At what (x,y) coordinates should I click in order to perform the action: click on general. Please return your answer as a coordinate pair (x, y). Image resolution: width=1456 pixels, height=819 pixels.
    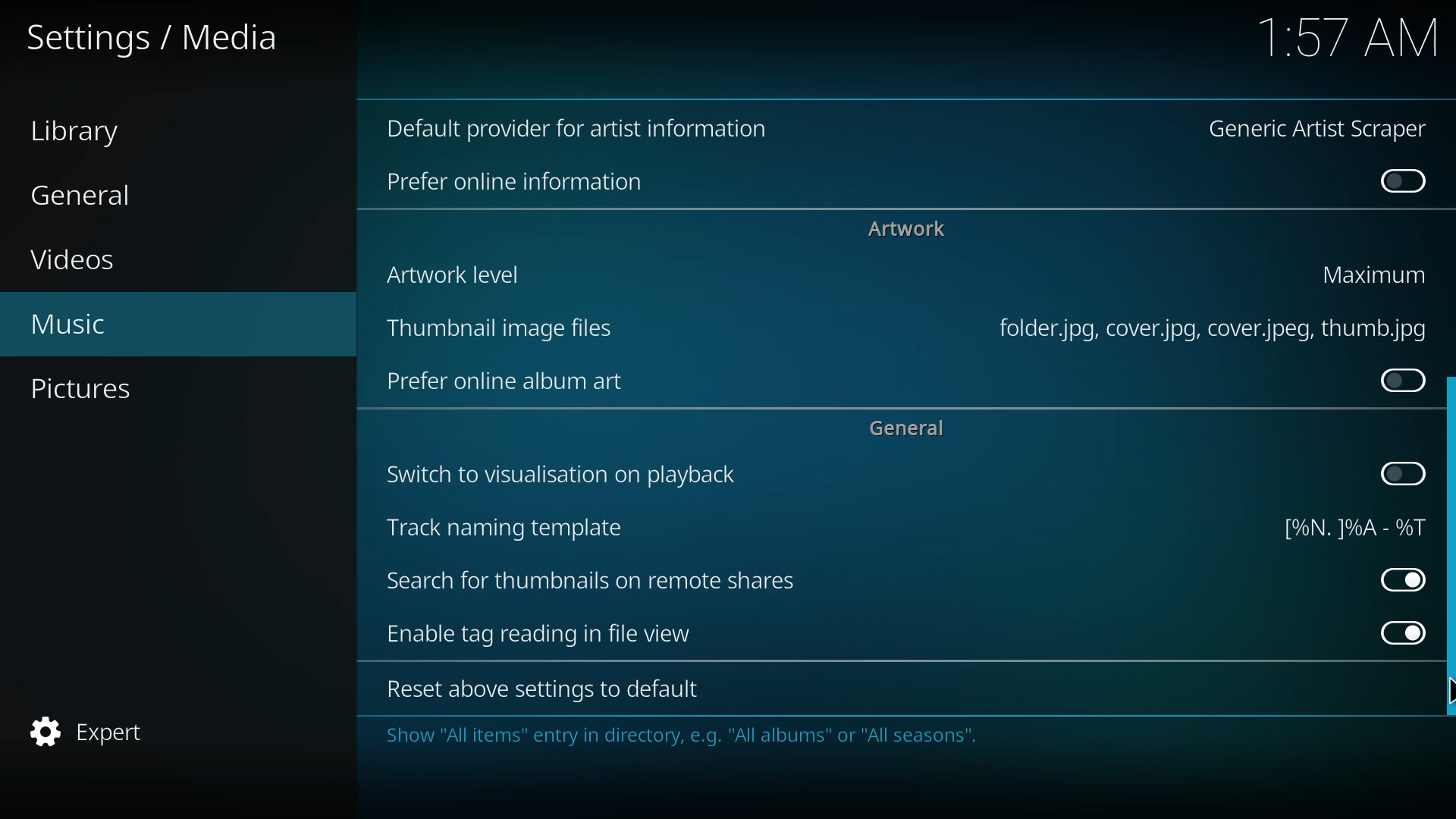
    Looking at the image, I should click on (906, 429).